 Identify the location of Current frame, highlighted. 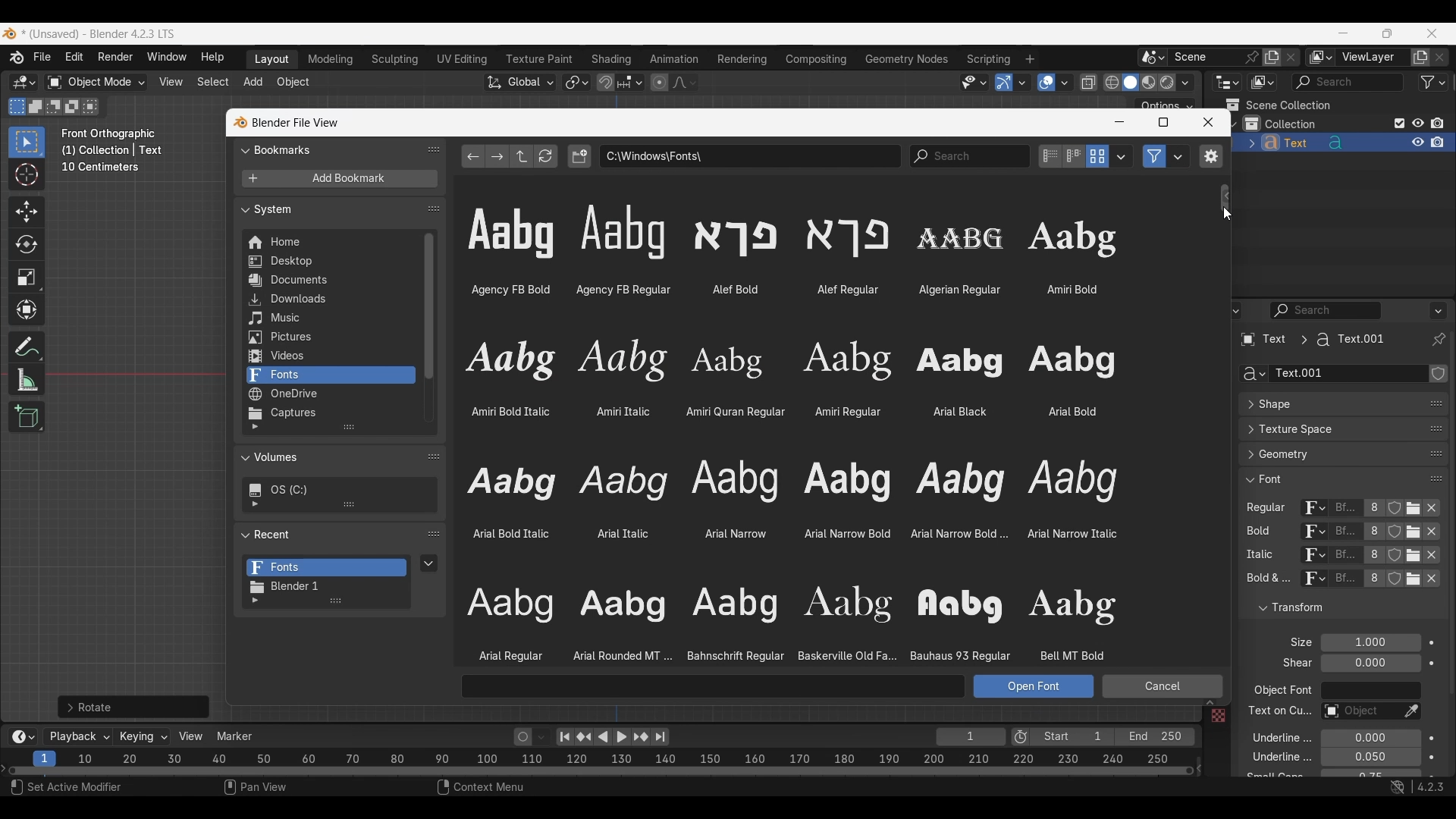
(45, 756).